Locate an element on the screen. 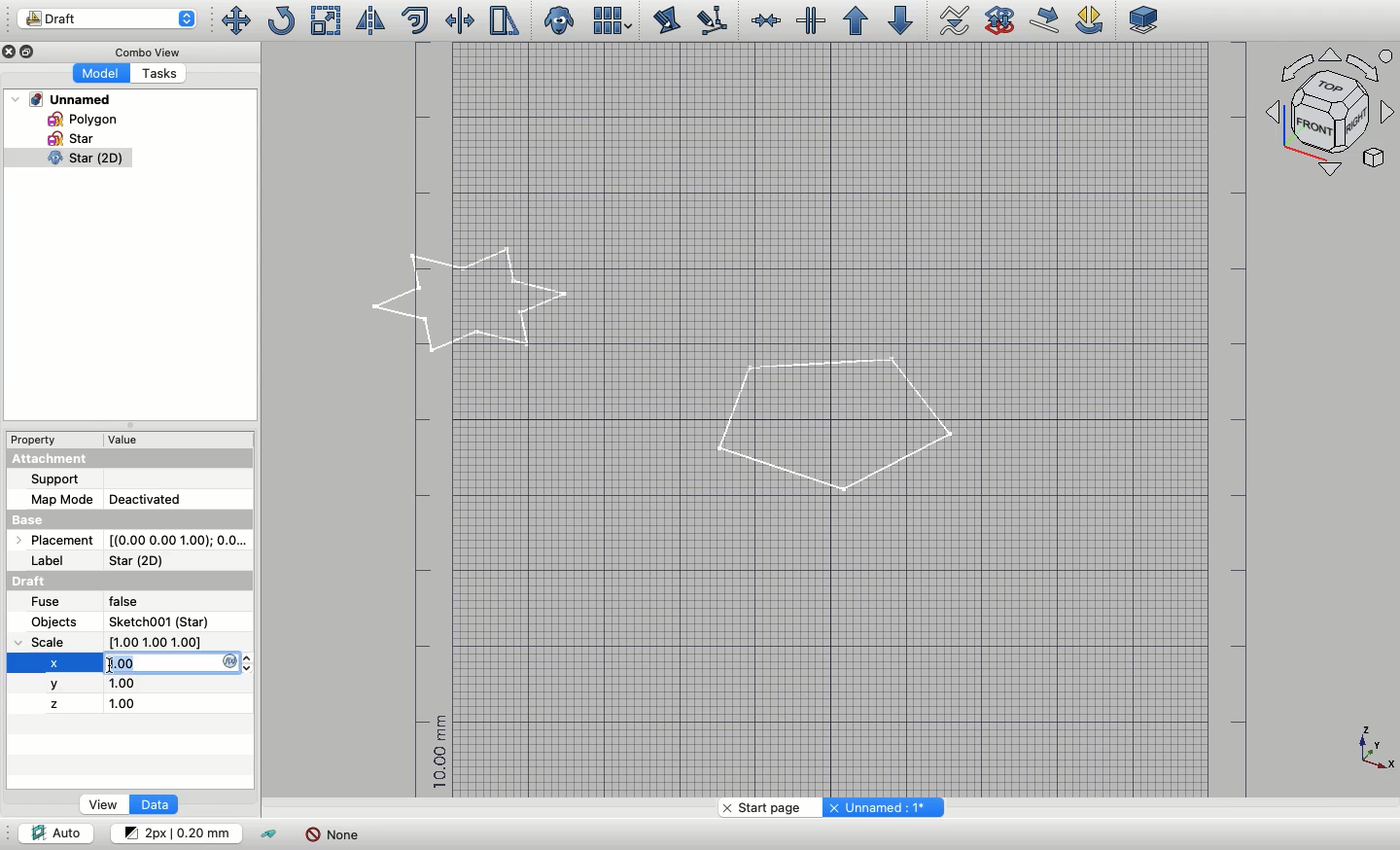  Draft to sketch is located at coordinates (1000, 18).